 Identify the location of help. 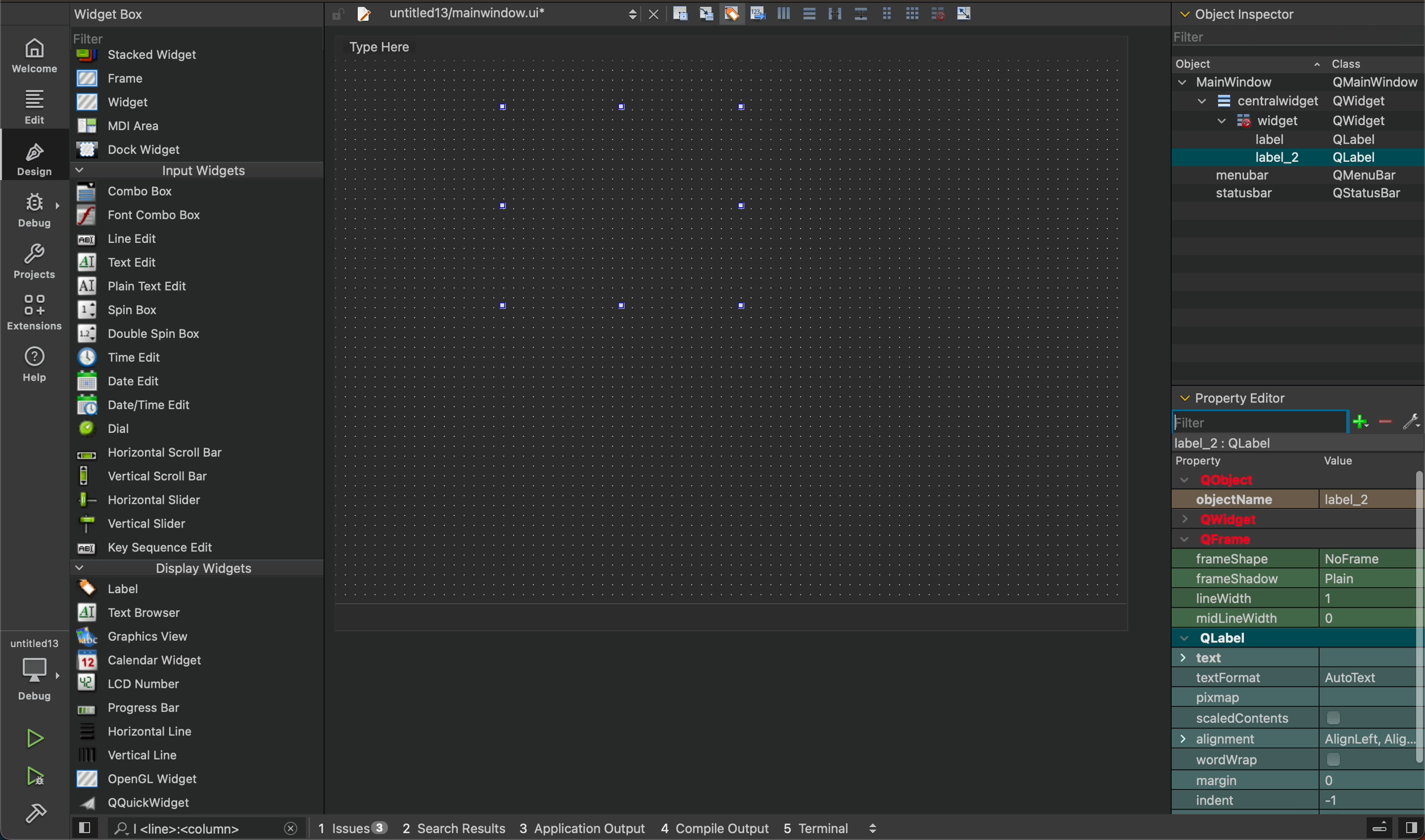
(40, 362).